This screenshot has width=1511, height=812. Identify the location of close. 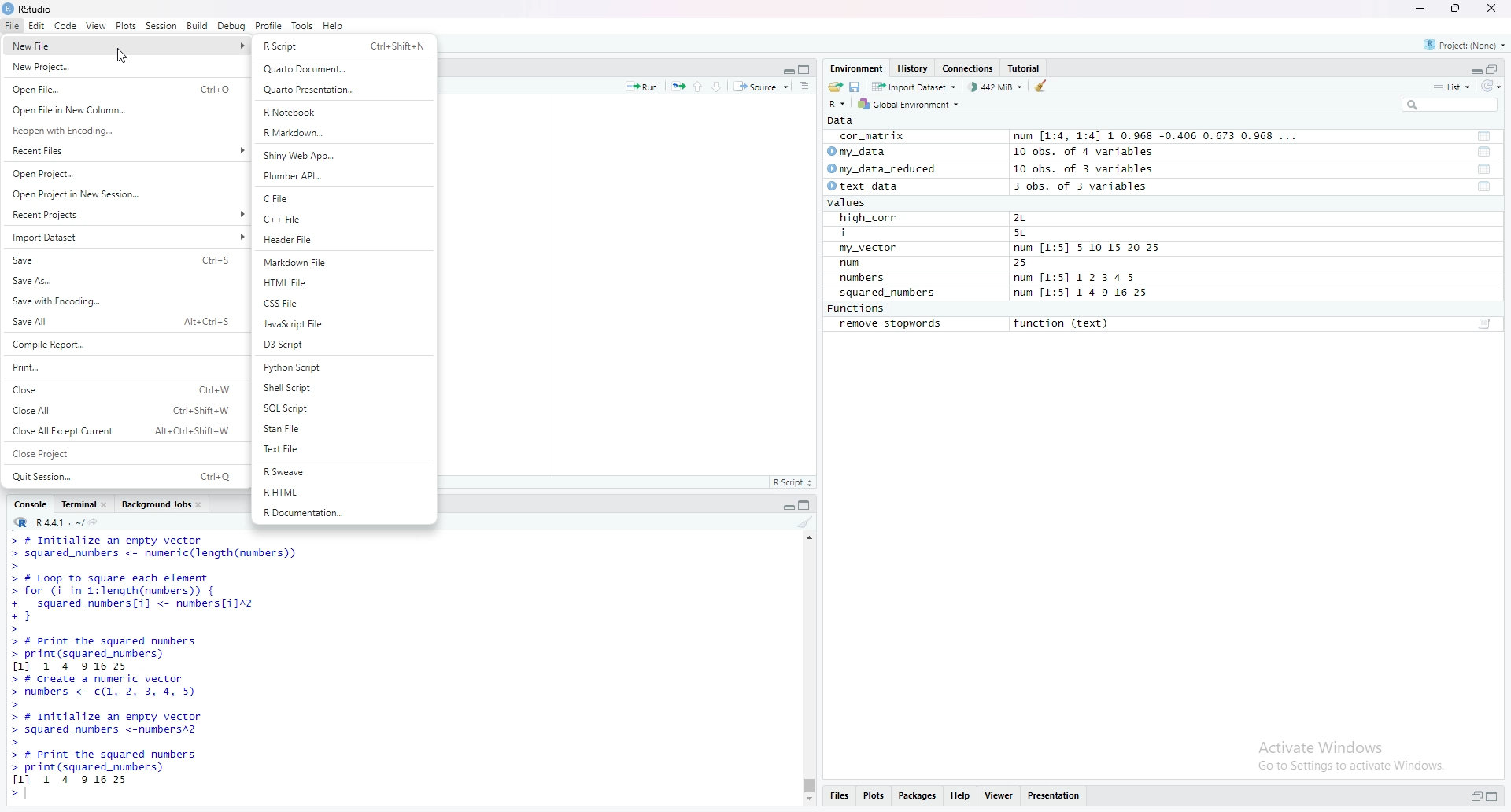
(107, 506).